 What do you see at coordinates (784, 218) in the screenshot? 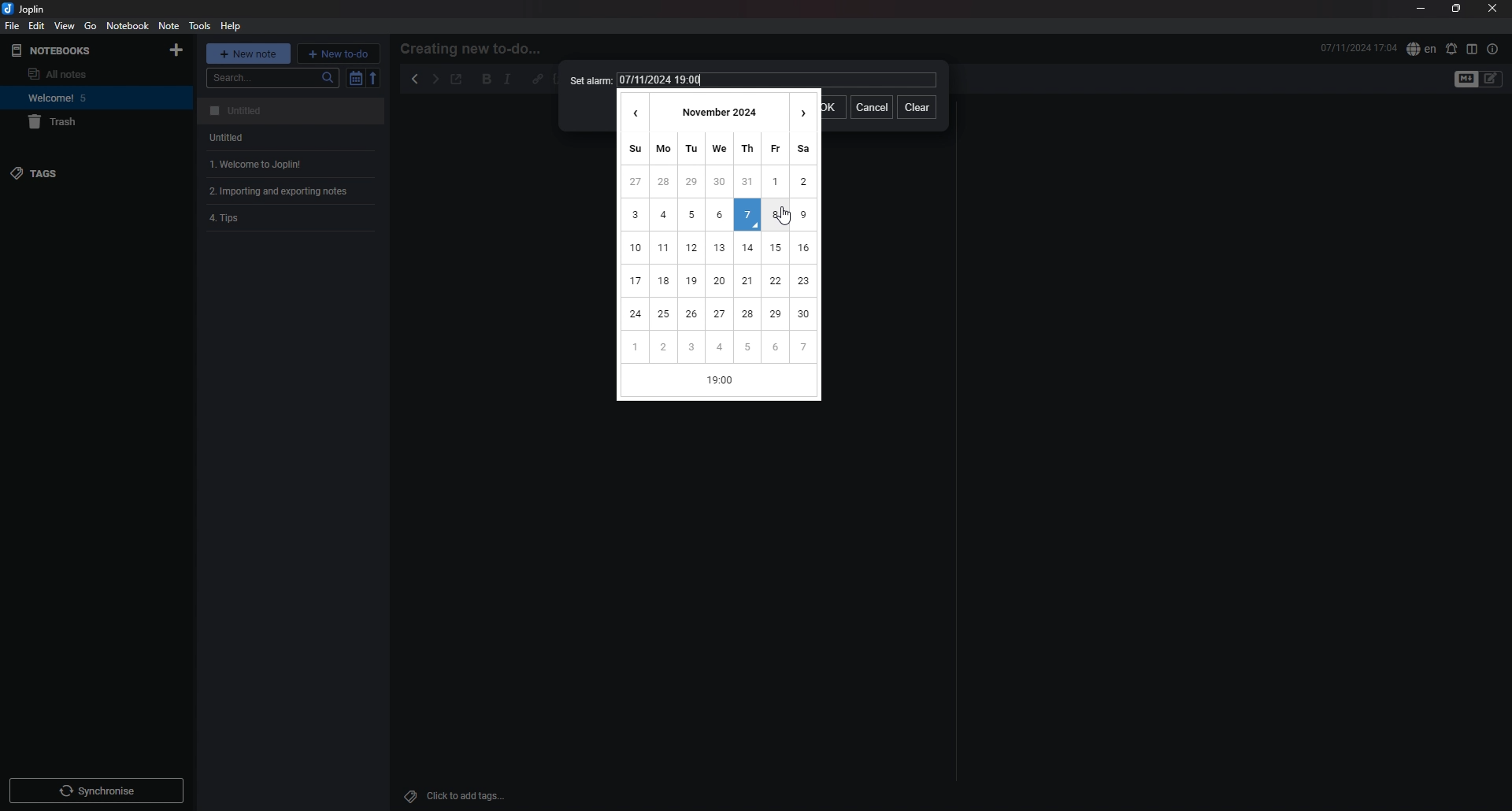
I see `Cursor` at bounding box center [784, 218].